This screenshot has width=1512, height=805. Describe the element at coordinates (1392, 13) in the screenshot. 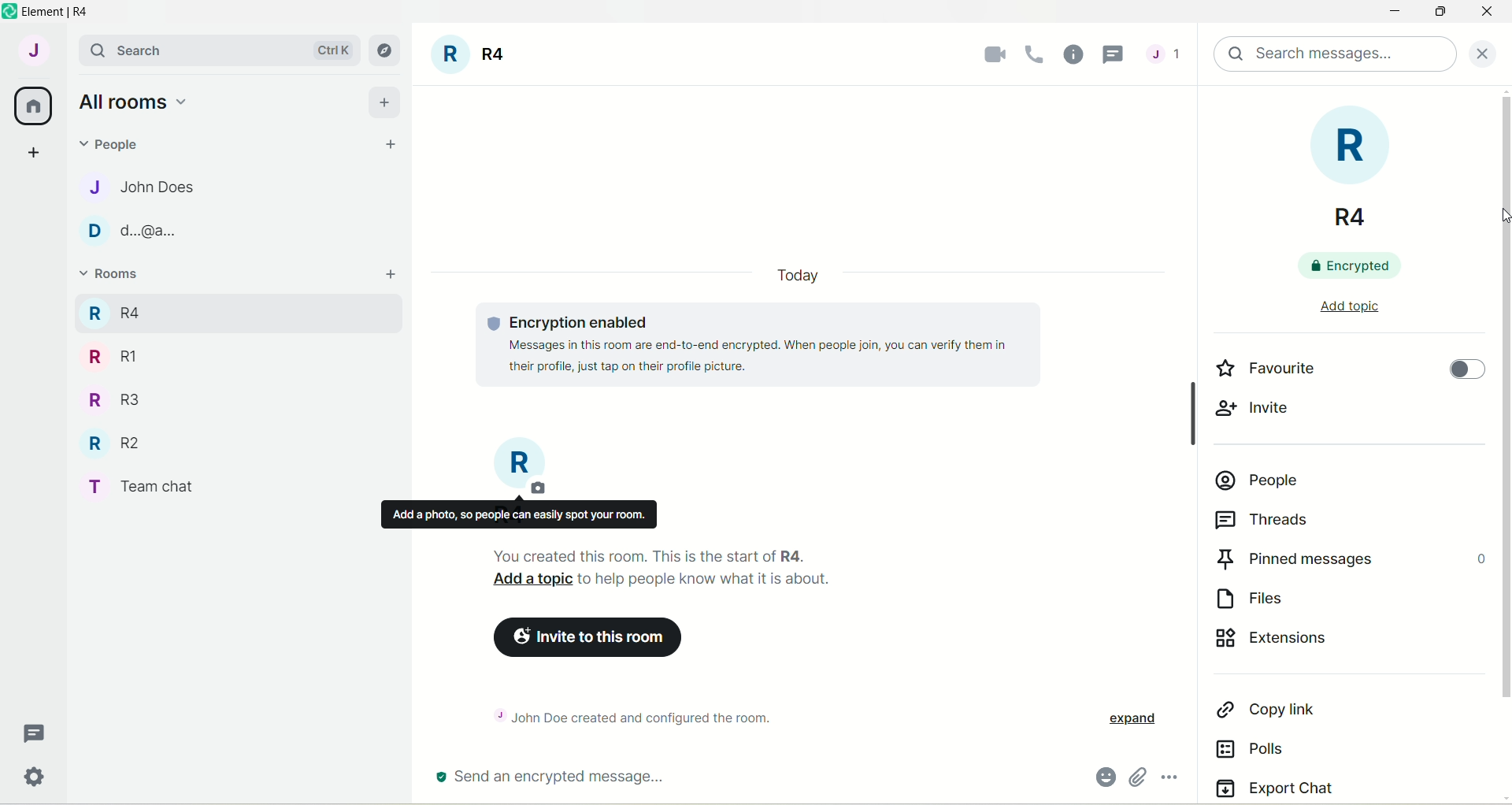

I see `minimize` at that location.